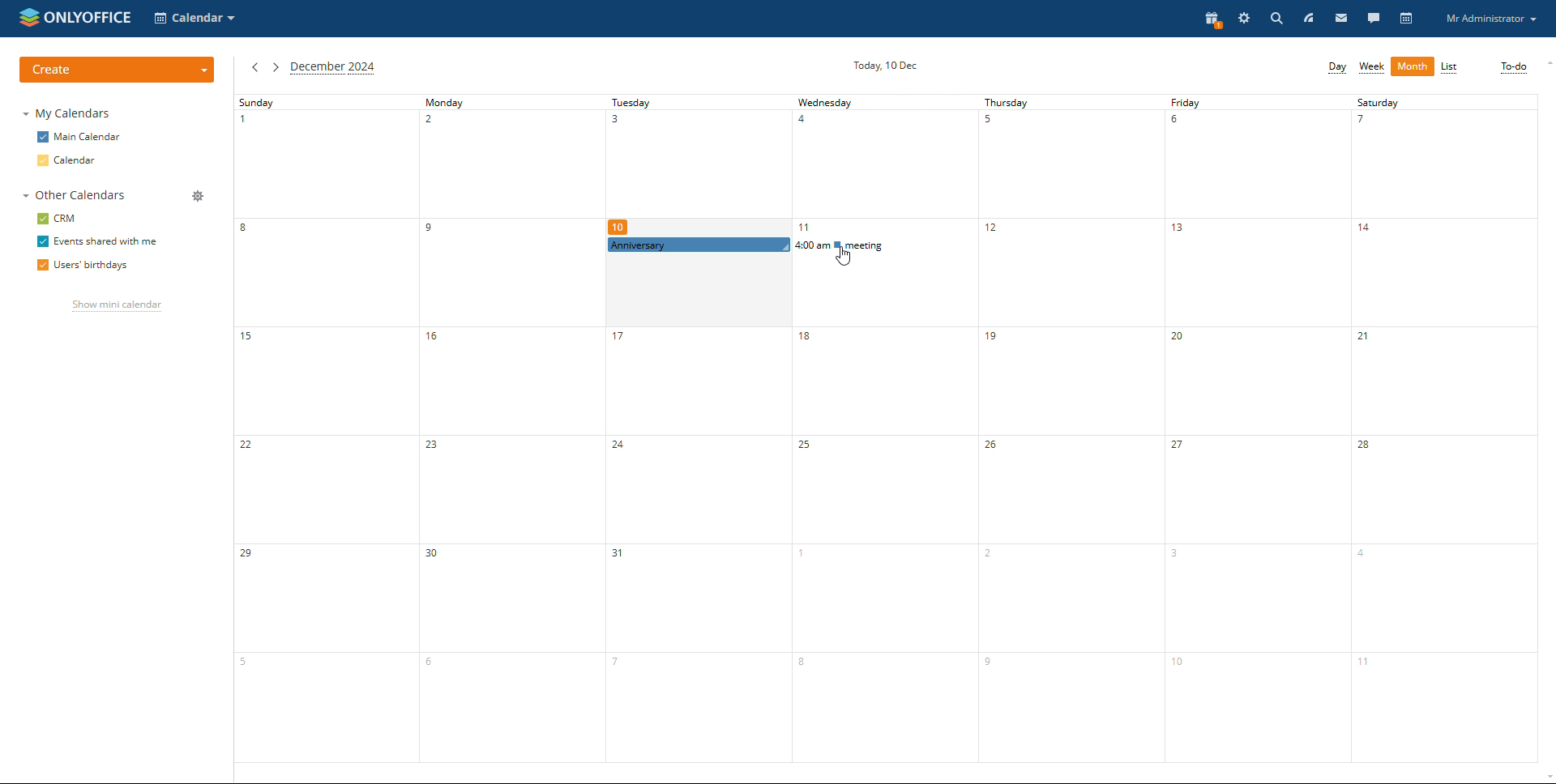 This screenshot has width=1556, height=784. Describe the element at coordinates (118, 306) in the screenshot. I see `show mini calendar` at that location.